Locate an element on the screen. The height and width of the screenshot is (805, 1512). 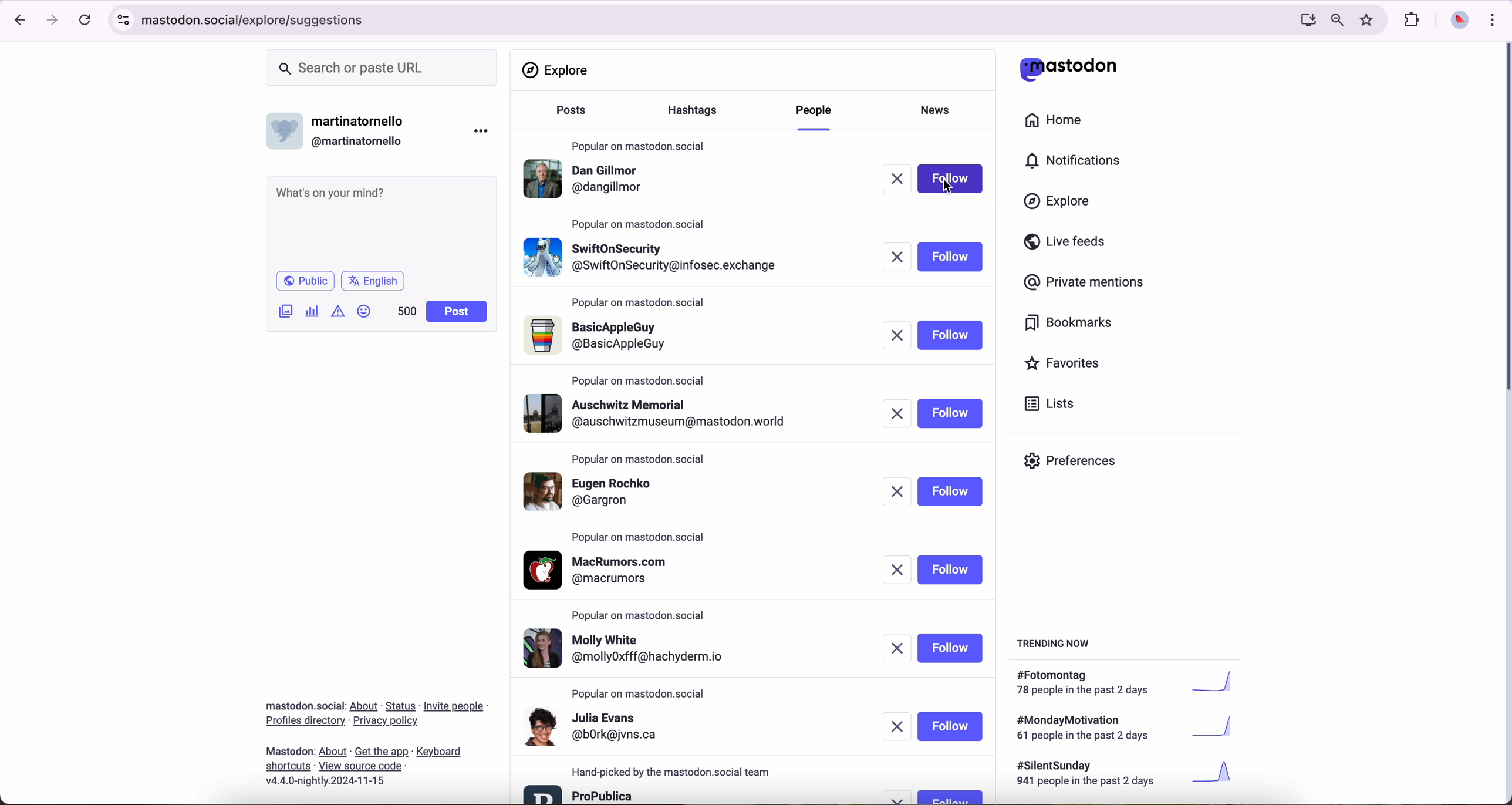
zoom out is located at coordinates (1336, 19).